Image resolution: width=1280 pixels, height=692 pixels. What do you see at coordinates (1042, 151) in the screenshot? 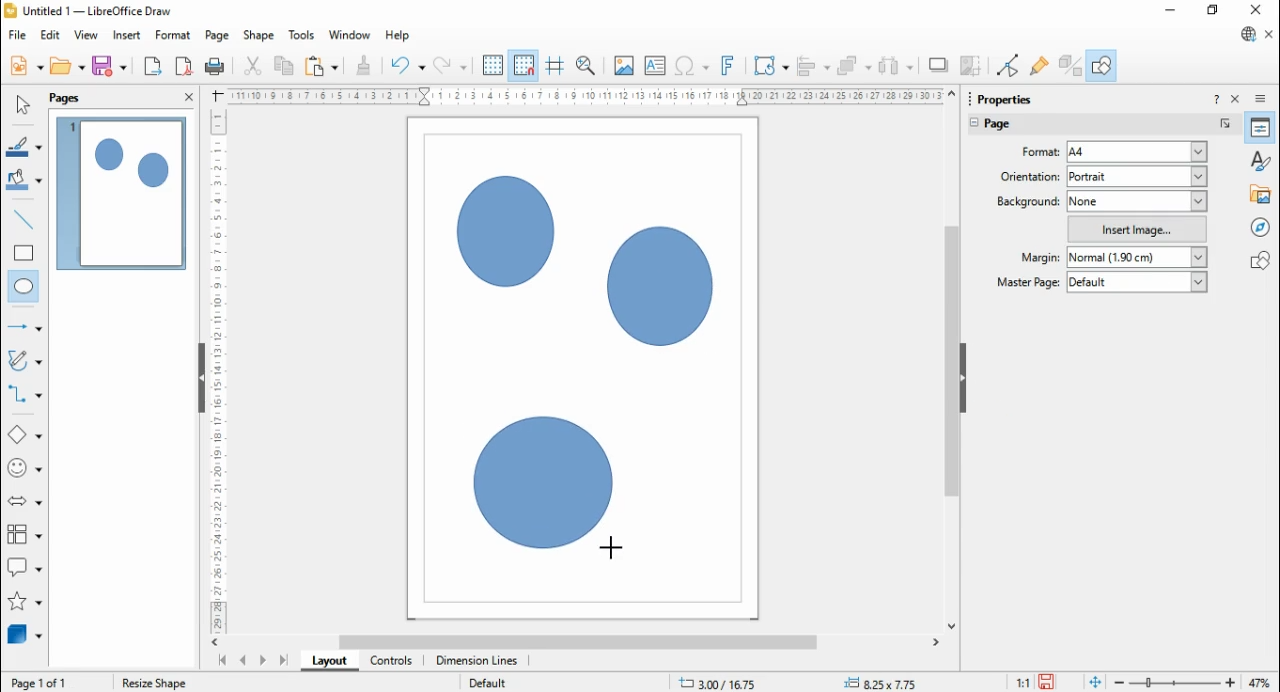
I see `page format` at bounding box center [1042, 151].